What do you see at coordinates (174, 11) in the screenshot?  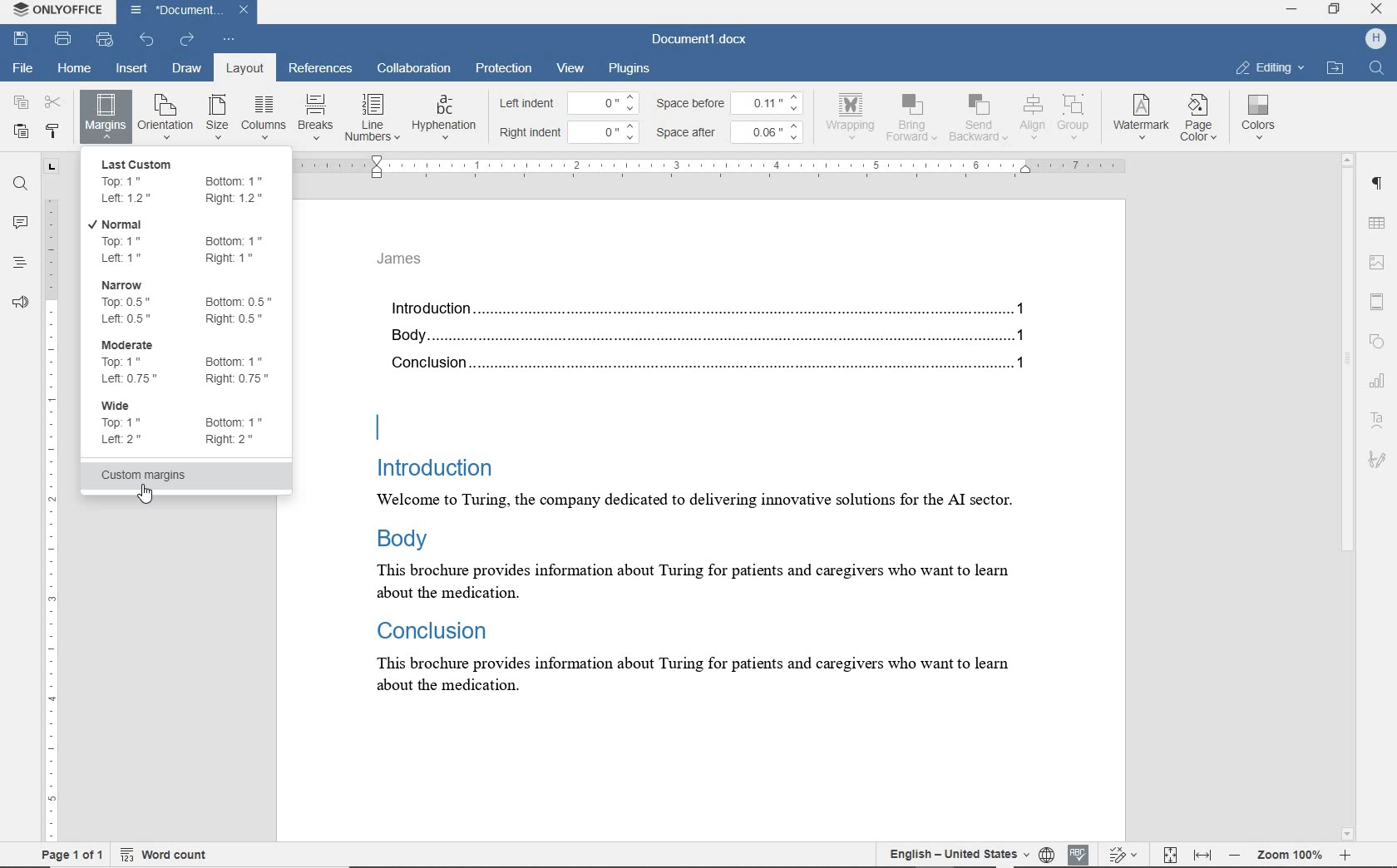 I see `document name` at bounding box center [174, 11].